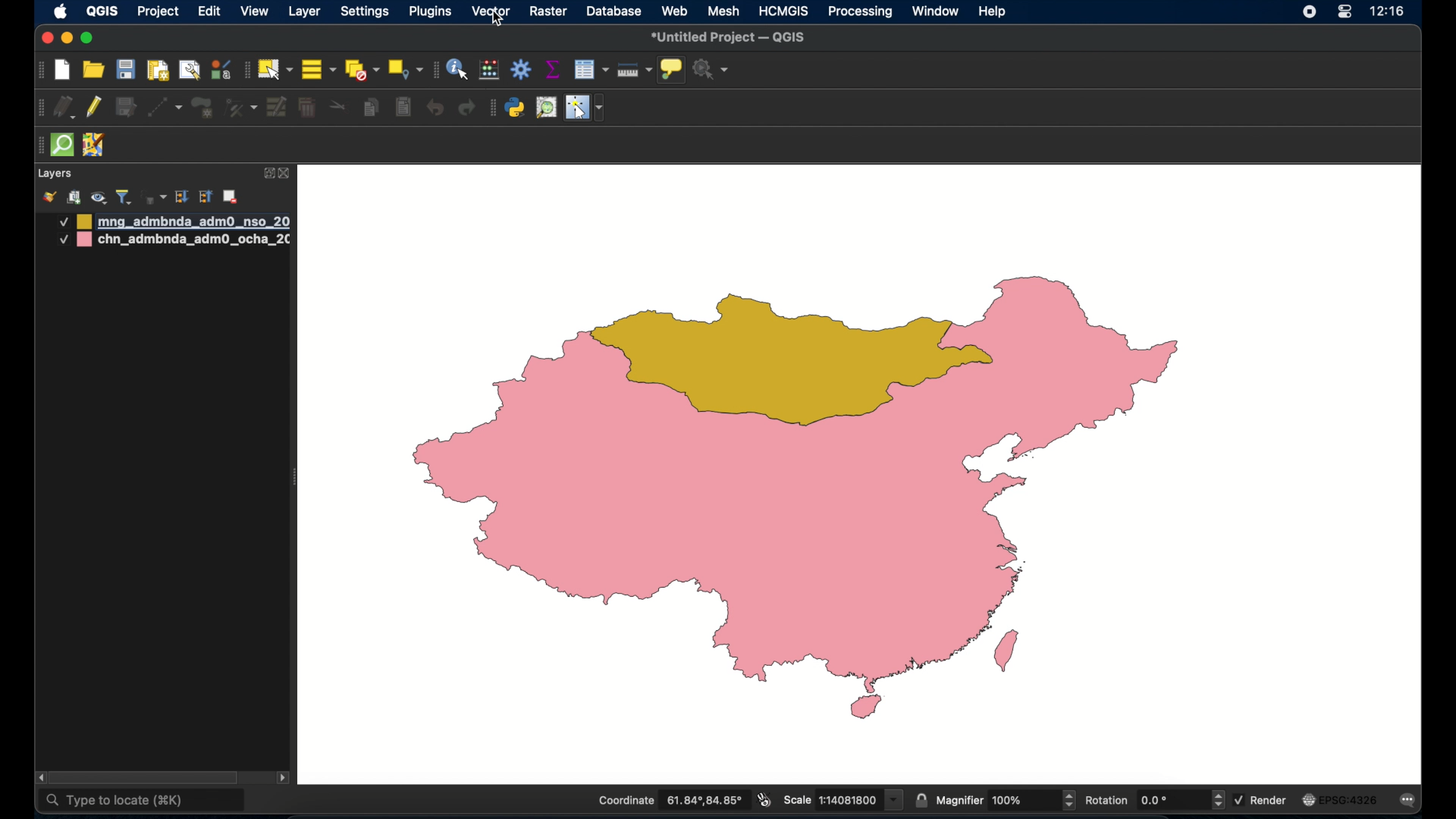 This screenshot has width=1456, height=819. What do you see at coordinates (159, 13) in the screenshot?
I see `project` at bounding box center [159, 13].